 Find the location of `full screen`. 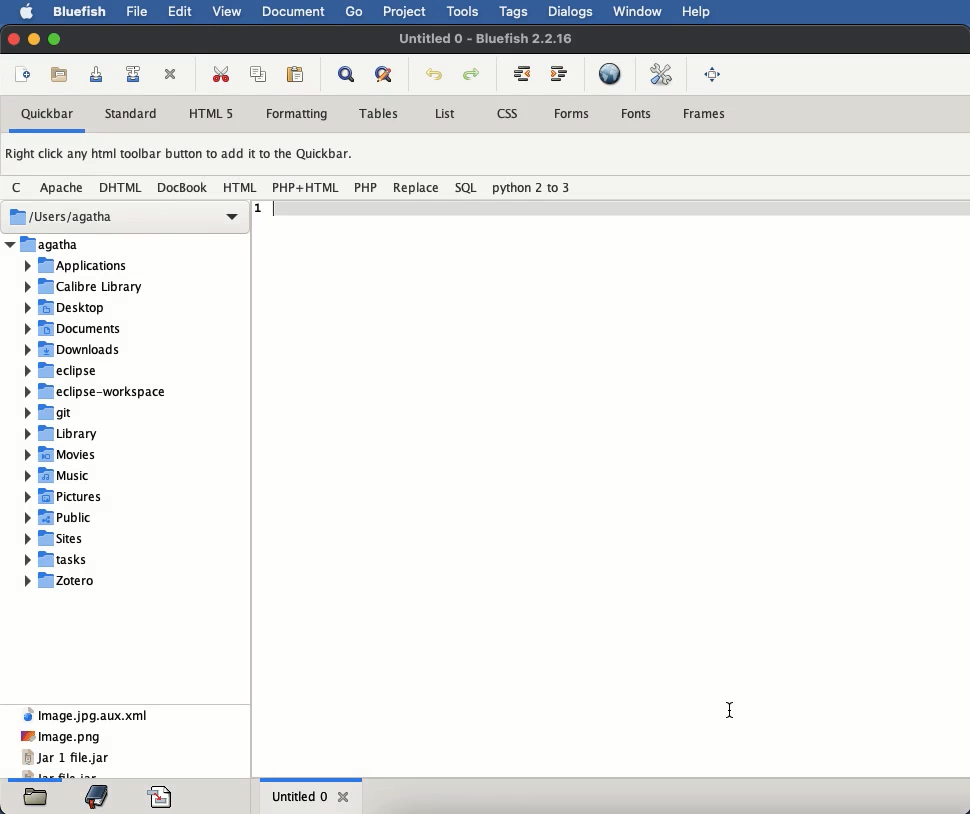

full screen is located at coordinates (712, 76).